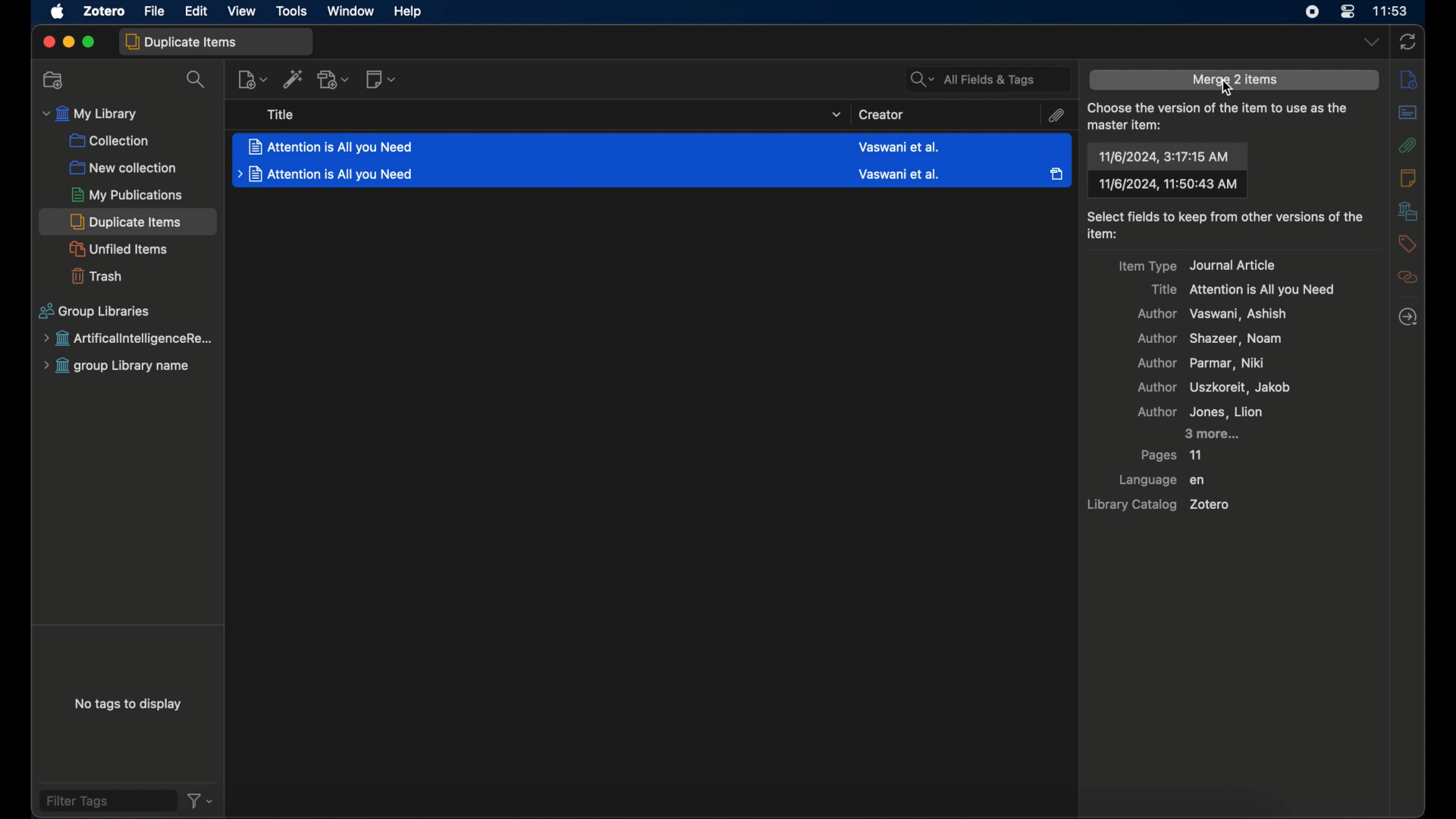  I want to click on All Fields & Tags, so click(977, 79).